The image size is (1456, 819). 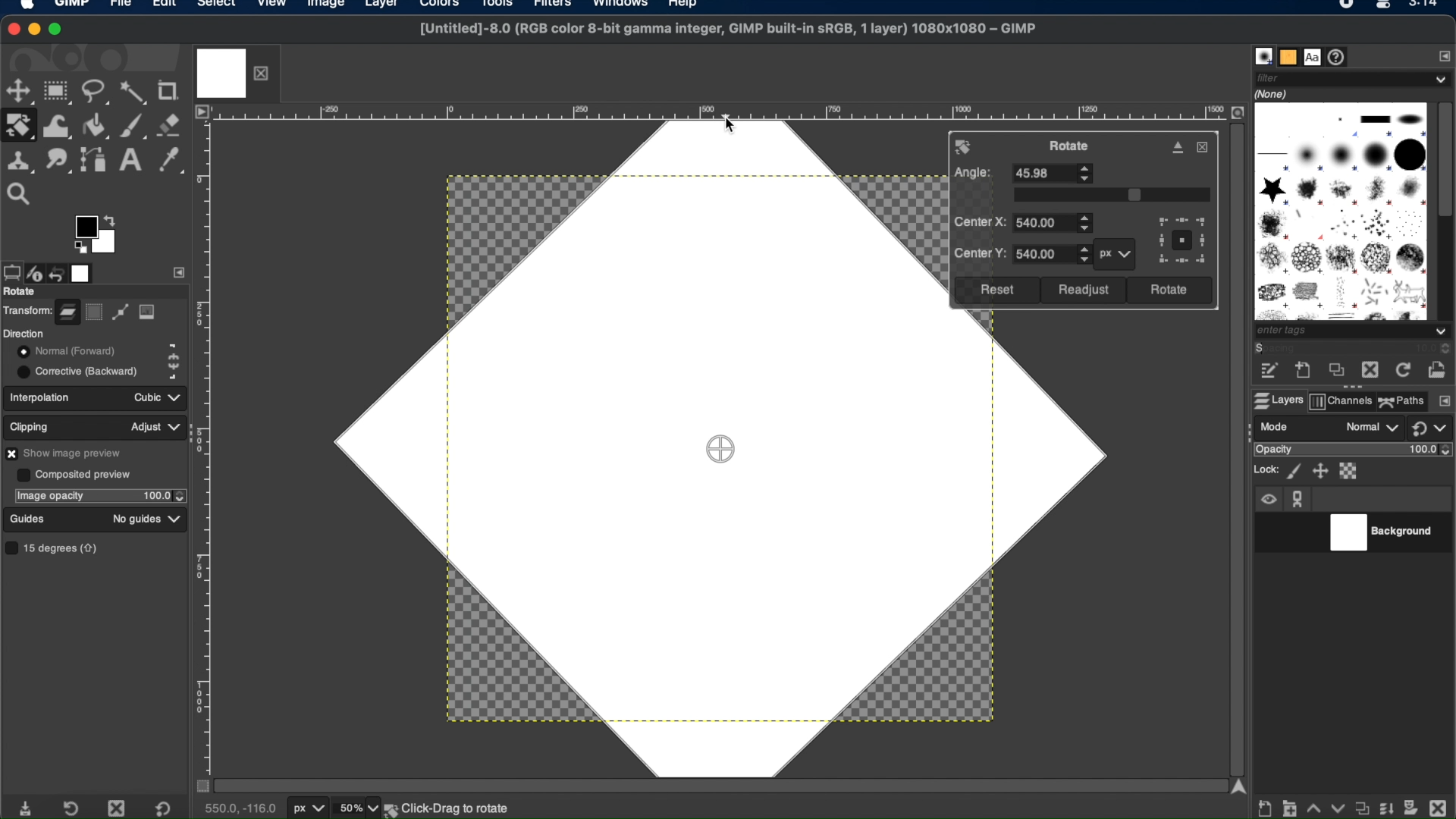 I want to click on crop tool, so click(x=171, y=90).